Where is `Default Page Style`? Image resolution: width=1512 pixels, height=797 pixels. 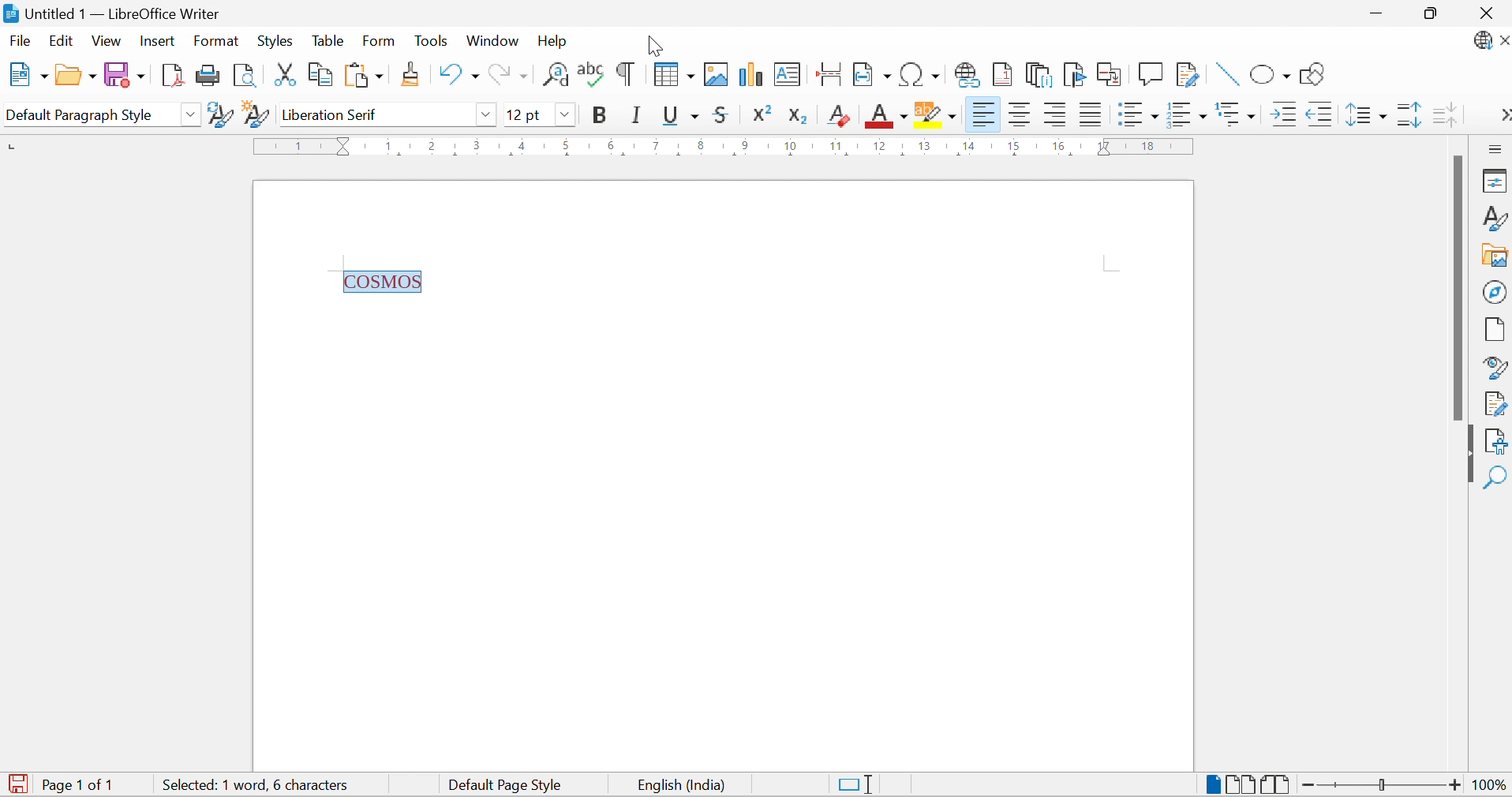
Default Page Style is located at coordinates (507, 785).